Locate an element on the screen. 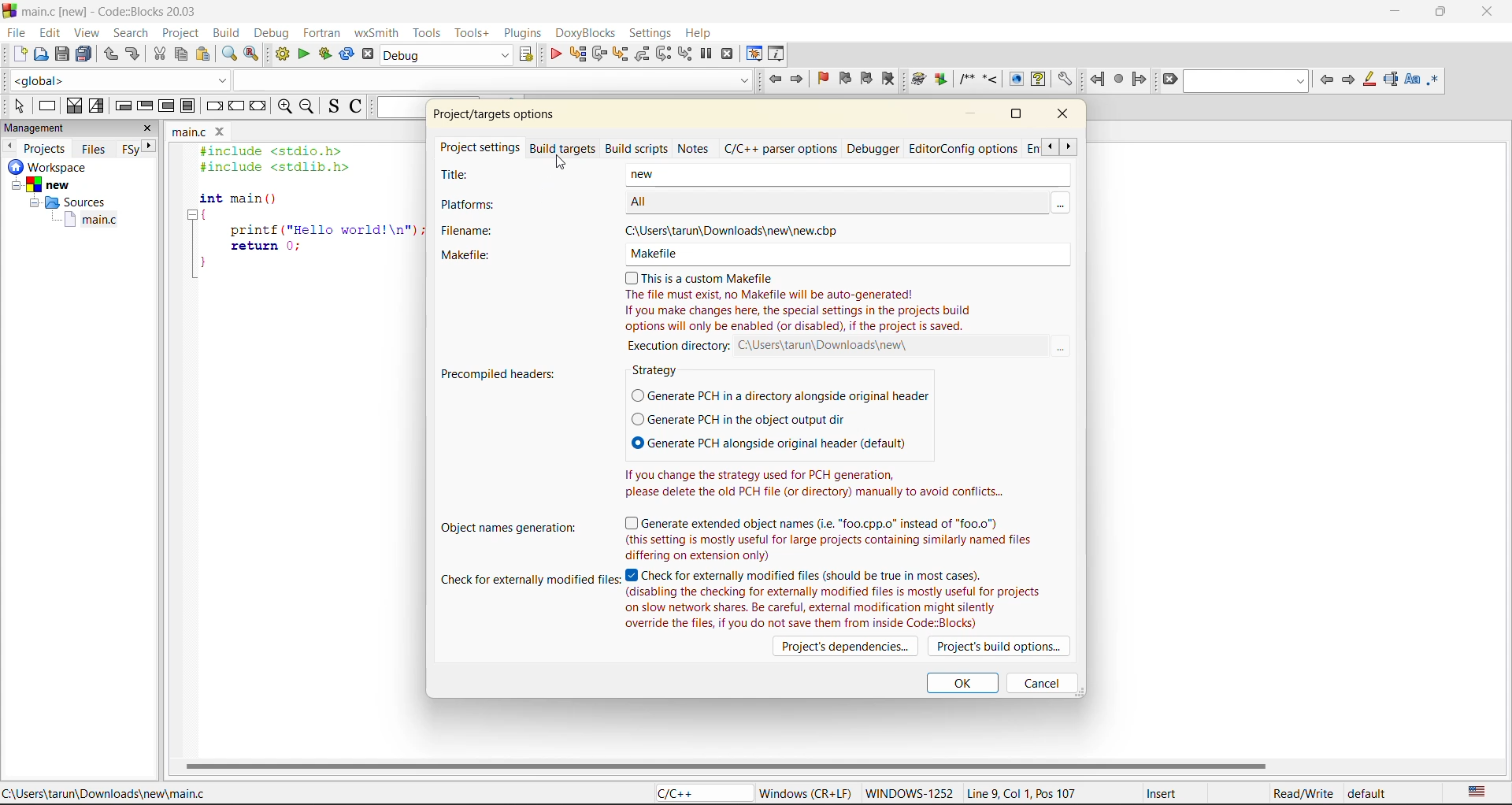 The image size is (1512, 805). precompiled headers is located at coordinates (502, 373).